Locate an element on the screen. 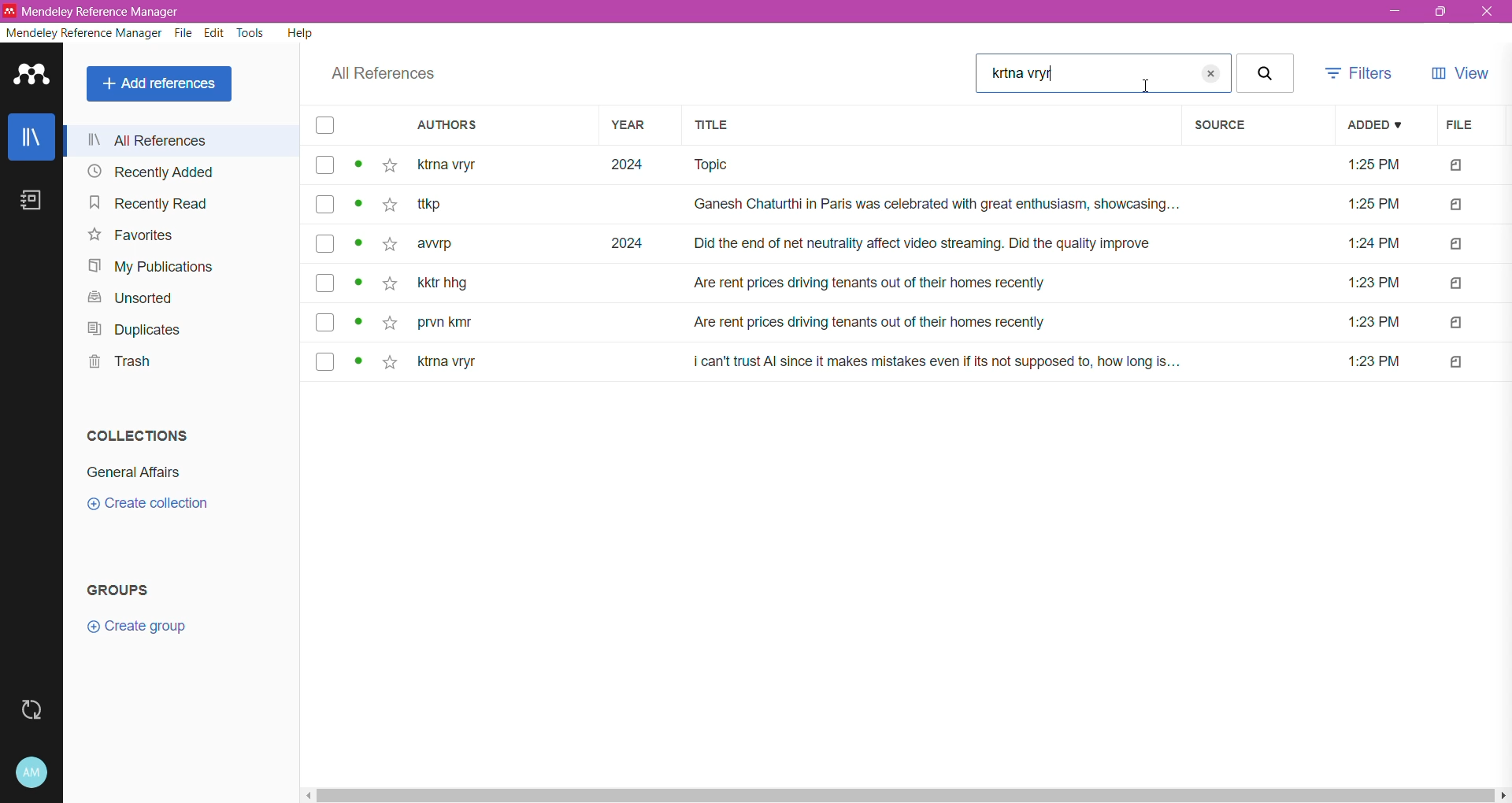 This screenshot has height=803, width=1512. Year is located at coordinates (635, 127).